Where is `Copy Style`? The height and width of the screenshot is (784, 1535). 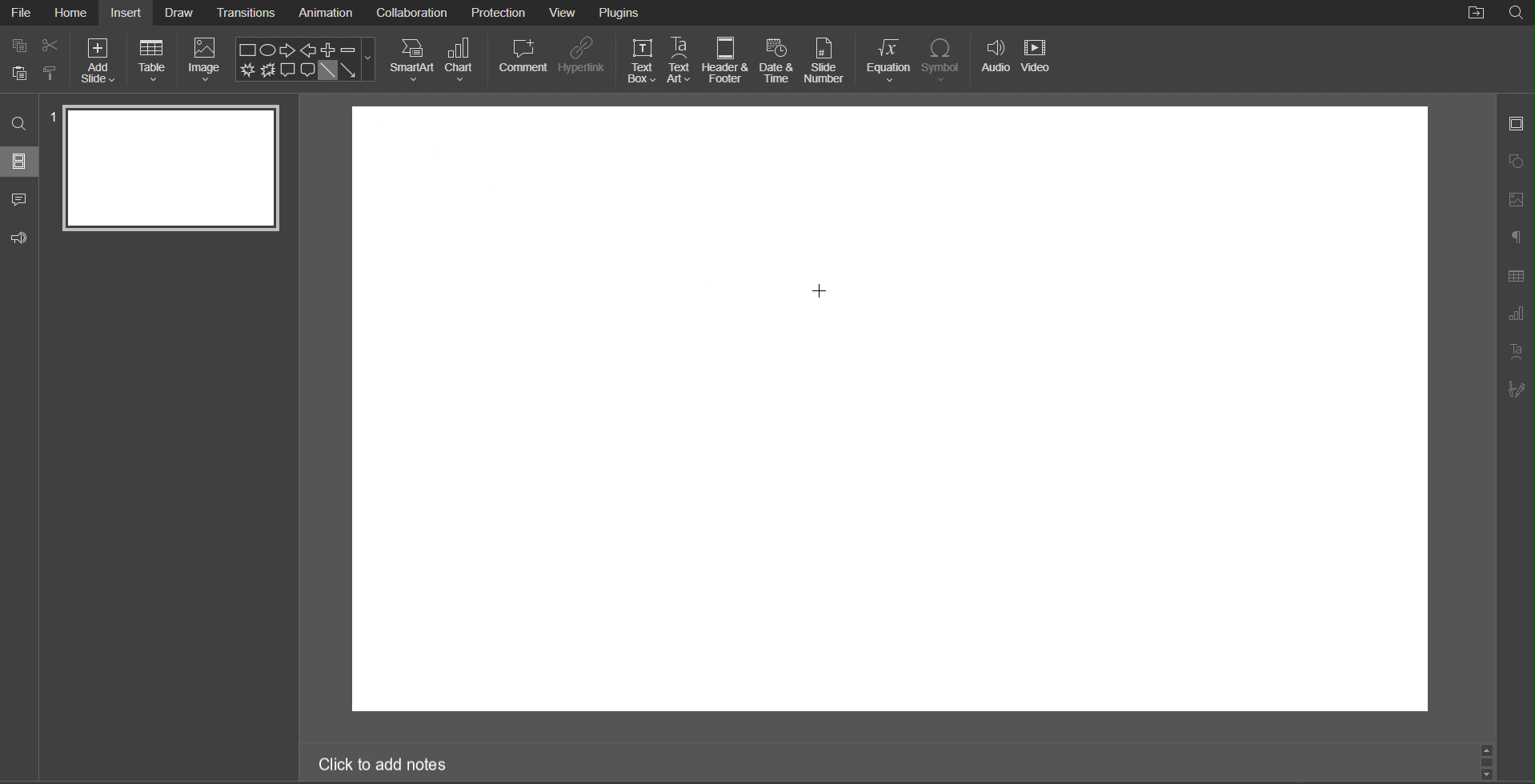 Copy Style is located at coordinates (55, 74).